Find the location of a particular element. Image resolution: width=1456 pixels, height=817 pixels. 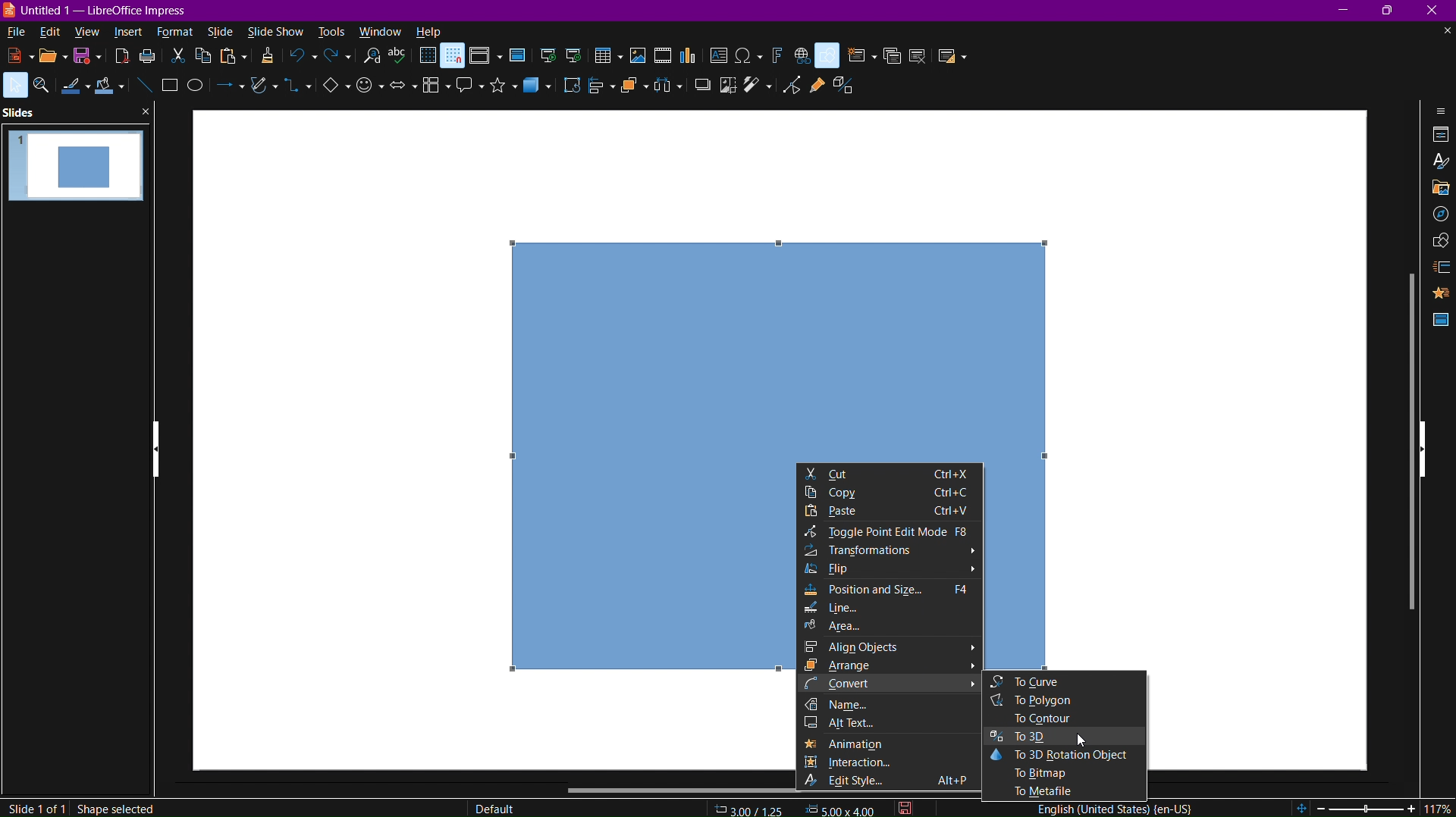

Filter is located at coordinates (761, 88).